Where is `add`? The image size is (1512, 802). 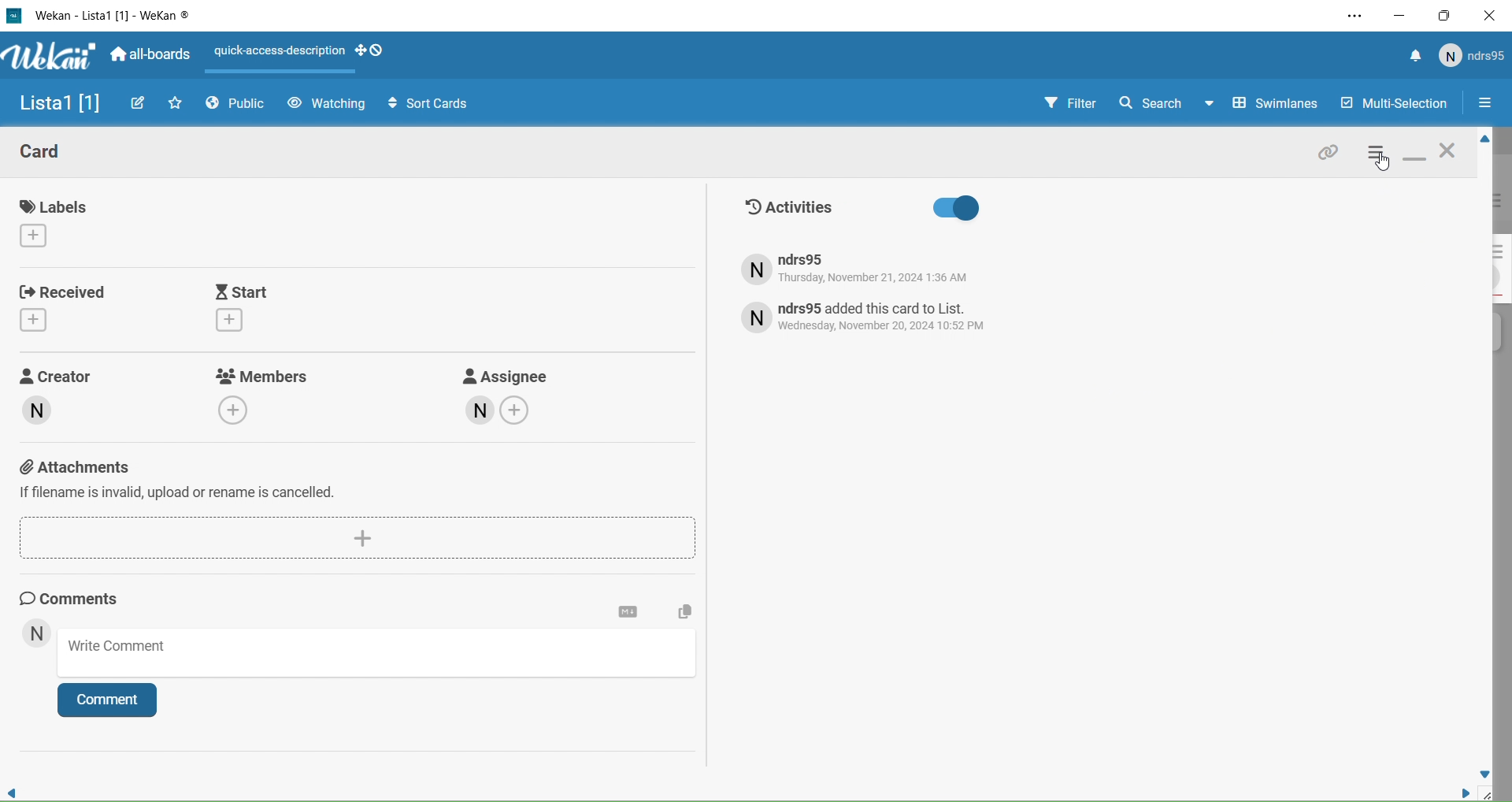 add is located at coordinates (357, 534).